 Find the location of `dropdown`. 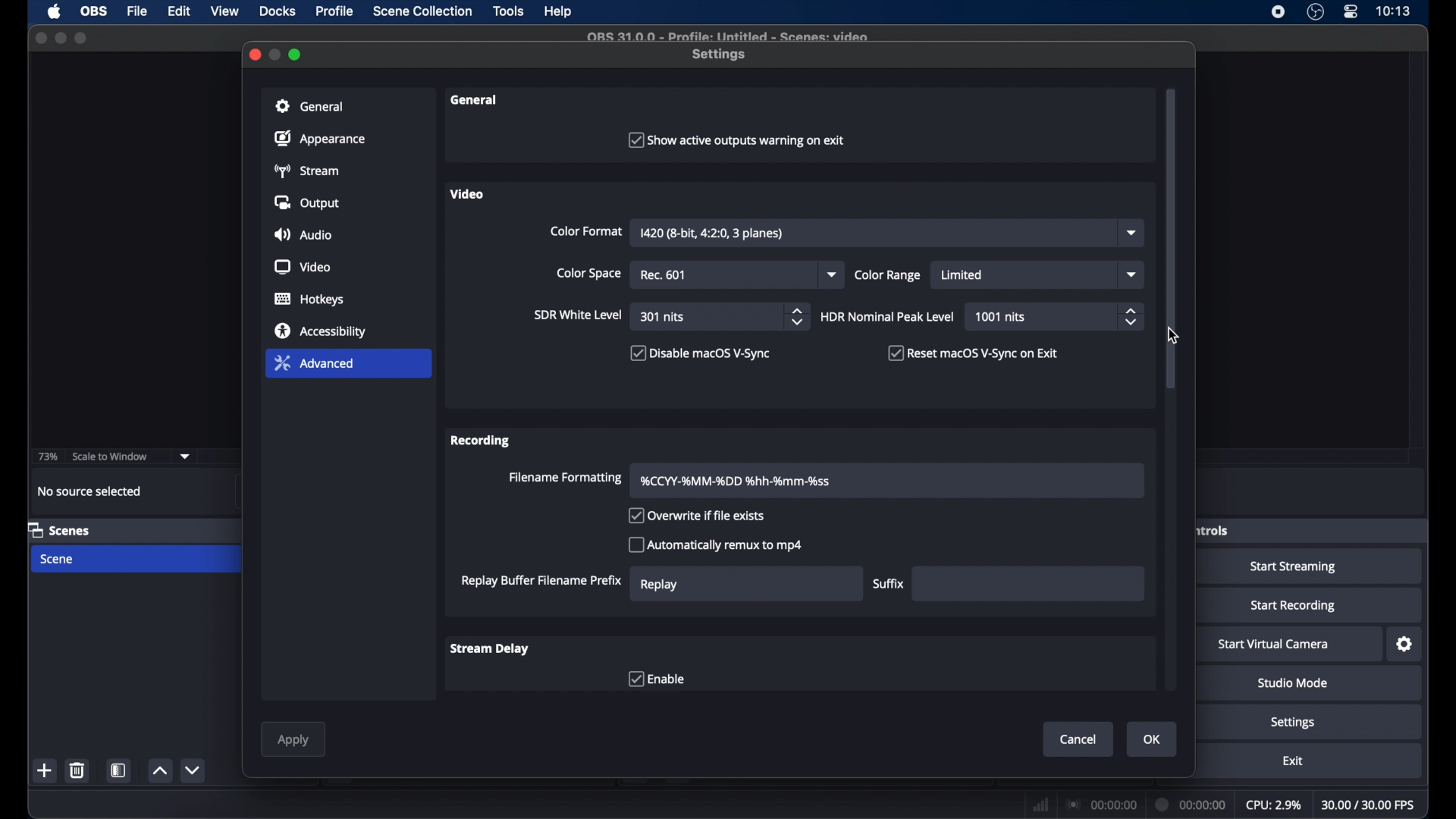

dropdown is located at coordinates (833, 275).